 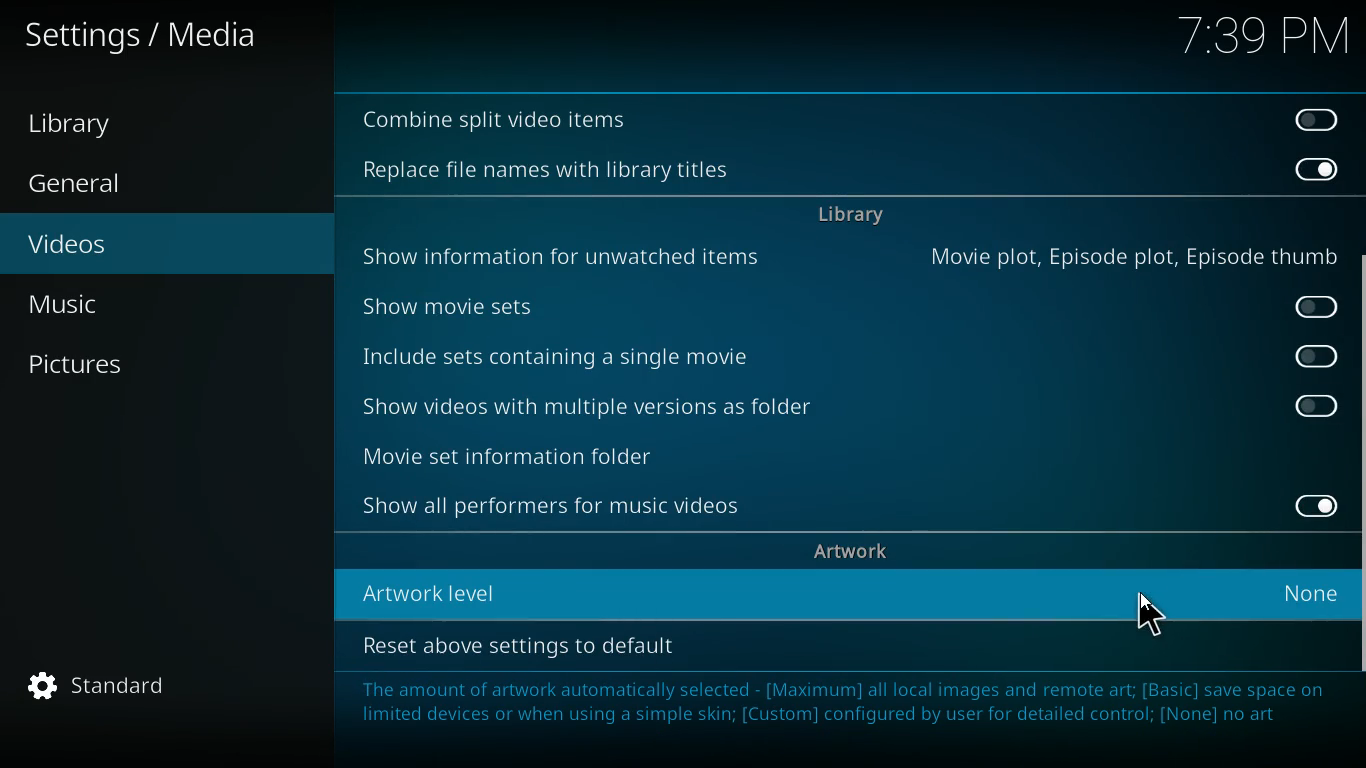 What do you see at coordinates (1160, 620) in the screenshot?
I see `cursor` at bounding box center [1160, 620].